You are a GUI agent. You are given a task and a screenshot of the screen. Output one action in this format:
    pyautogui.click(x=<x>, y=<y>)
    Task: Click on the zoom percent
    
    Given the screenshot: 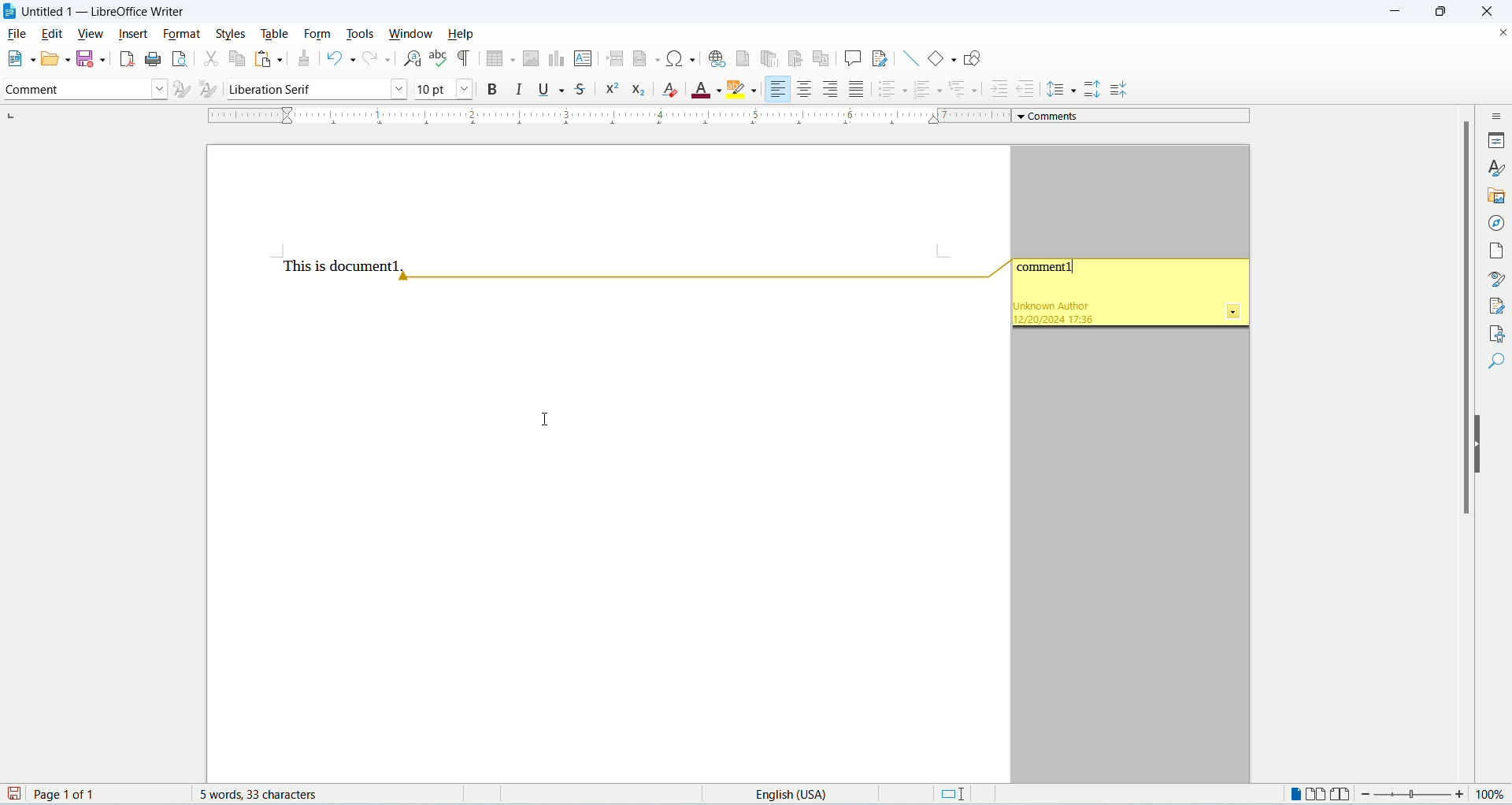 What is the action you would take?
    pyautogui.click(x=1494, y=793)
    